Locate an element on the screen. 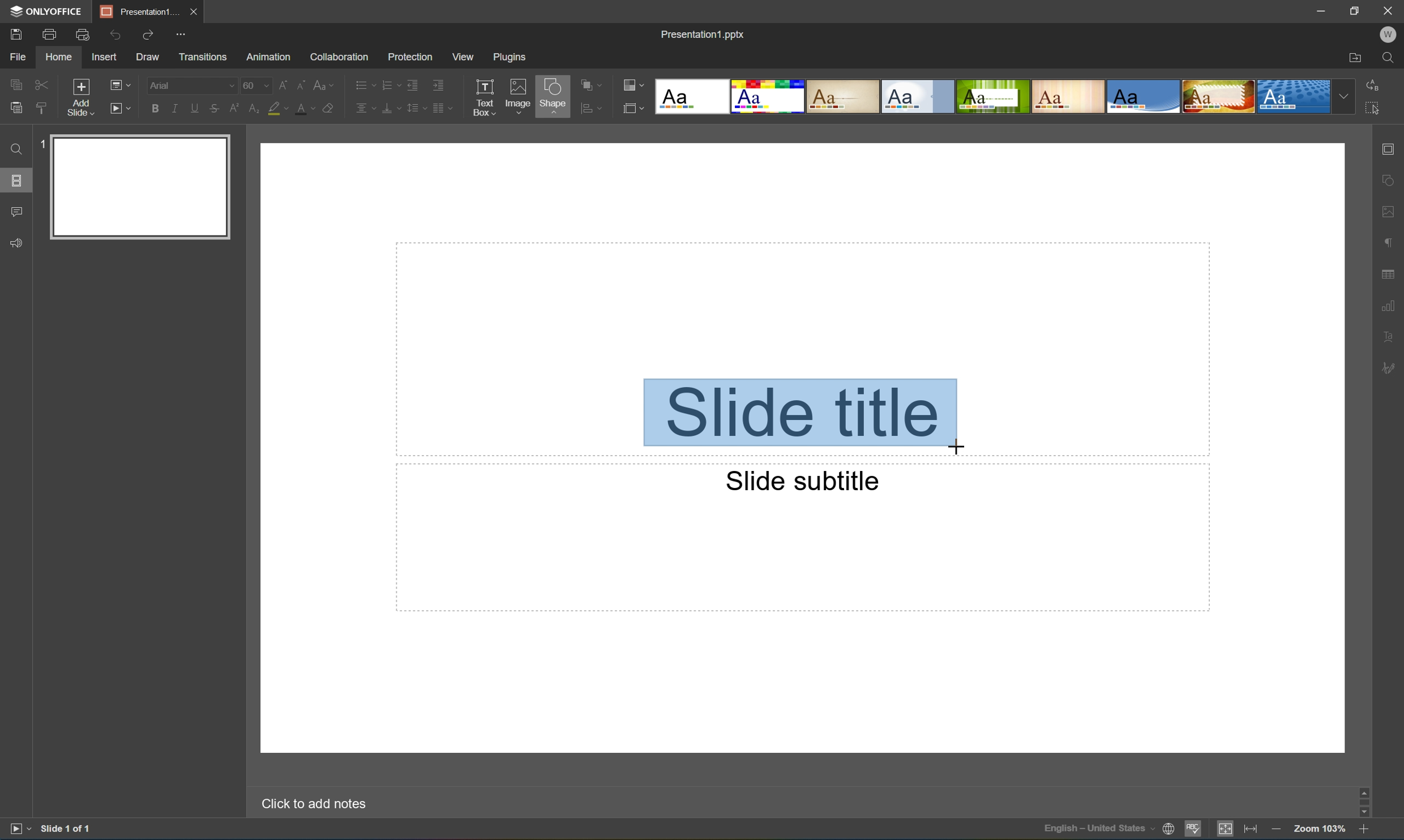 This screenshot has height=840, width=1404. Zoom in is located at coordinates (1363, 830).